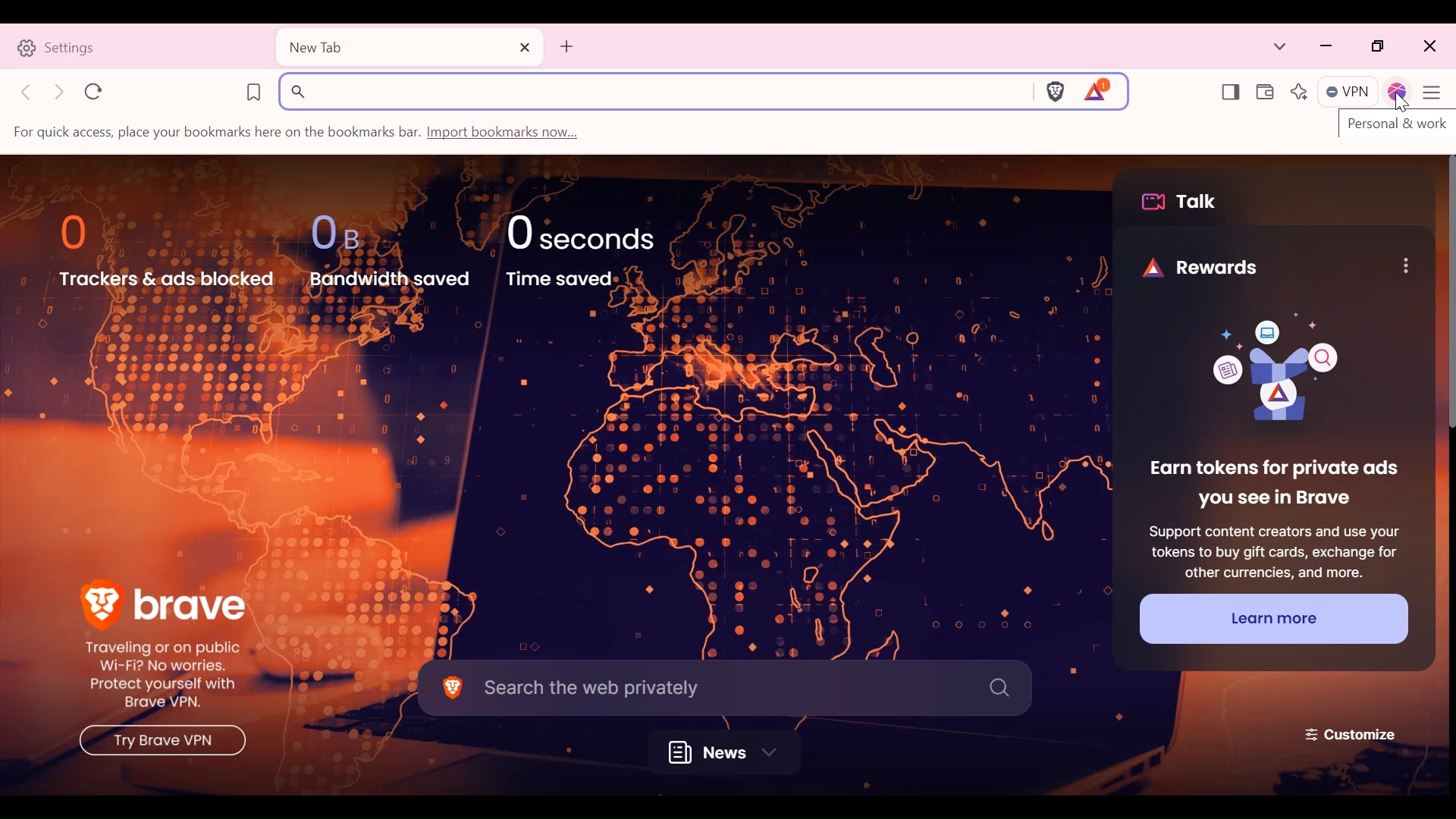 This screenshot has height=819, width=1456. What do you see at coordinates (1230, 93) in the screenshot?
I see `Show/Hide Sidebar` at bounding box center [1230, 93].